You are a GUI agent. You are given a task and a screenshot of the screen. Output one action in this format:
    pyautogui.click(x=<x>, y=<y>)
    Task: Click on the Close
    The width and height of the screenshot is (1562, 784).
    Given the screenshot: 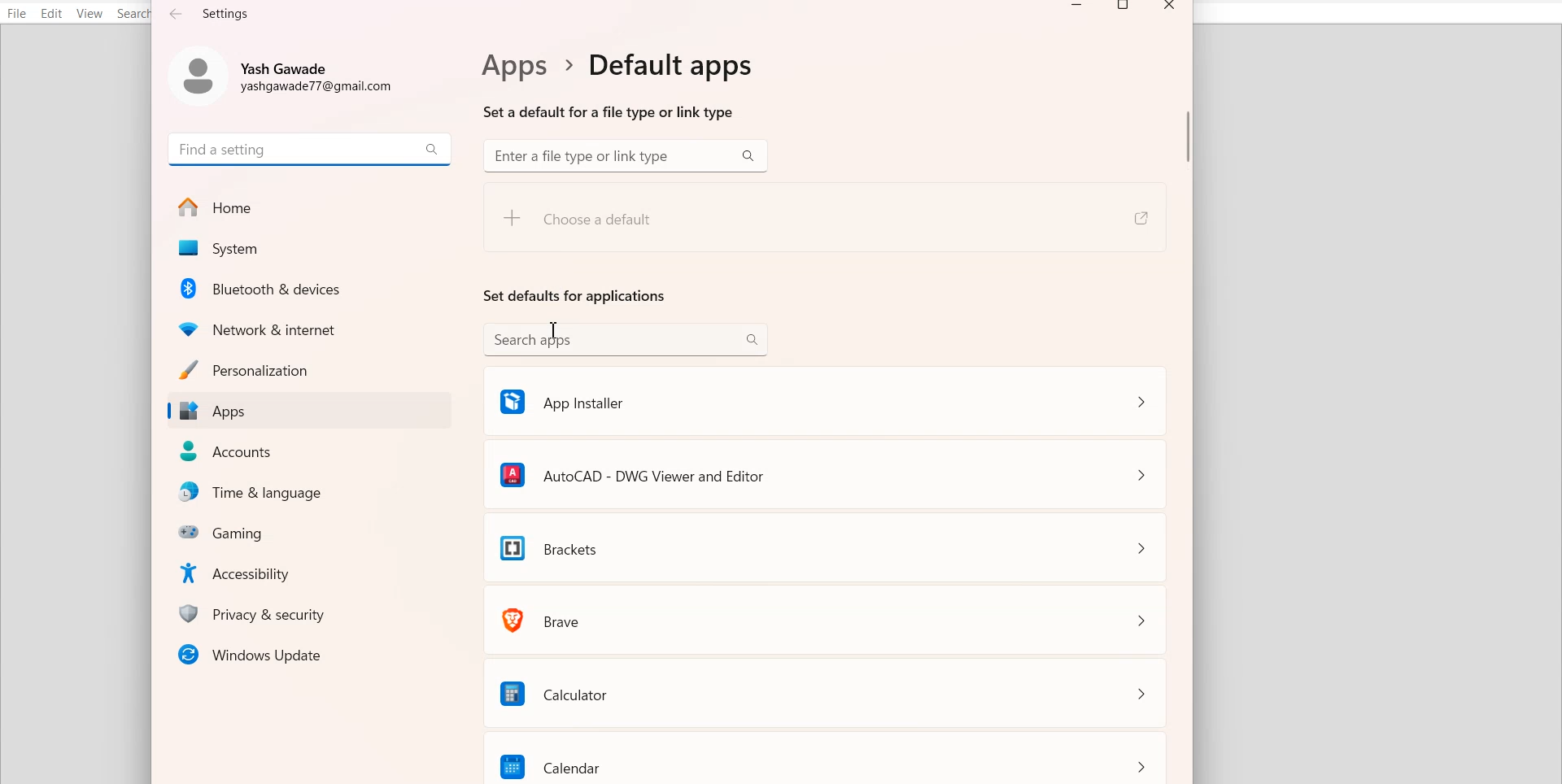 What is the action you would take?
    pyautogui.click(x=1169, y=8)
    